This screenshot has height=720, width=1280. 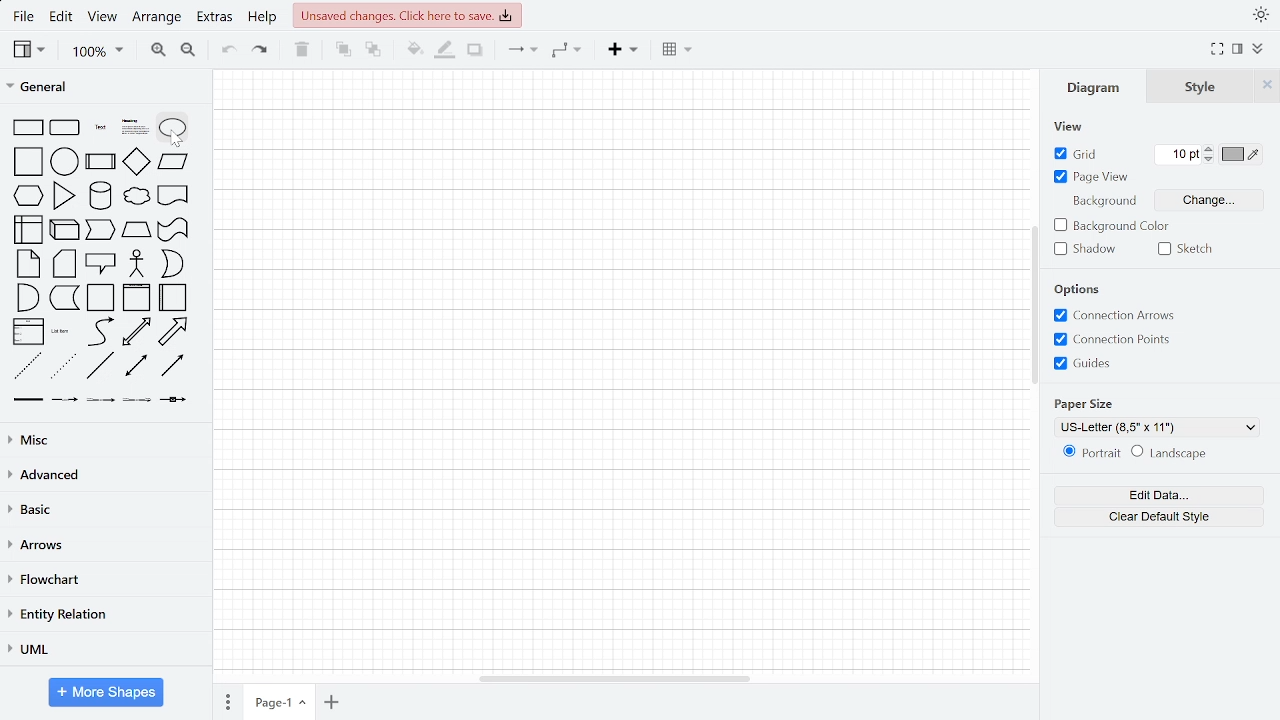 I want to click on tape, so click(x=173, y=230).